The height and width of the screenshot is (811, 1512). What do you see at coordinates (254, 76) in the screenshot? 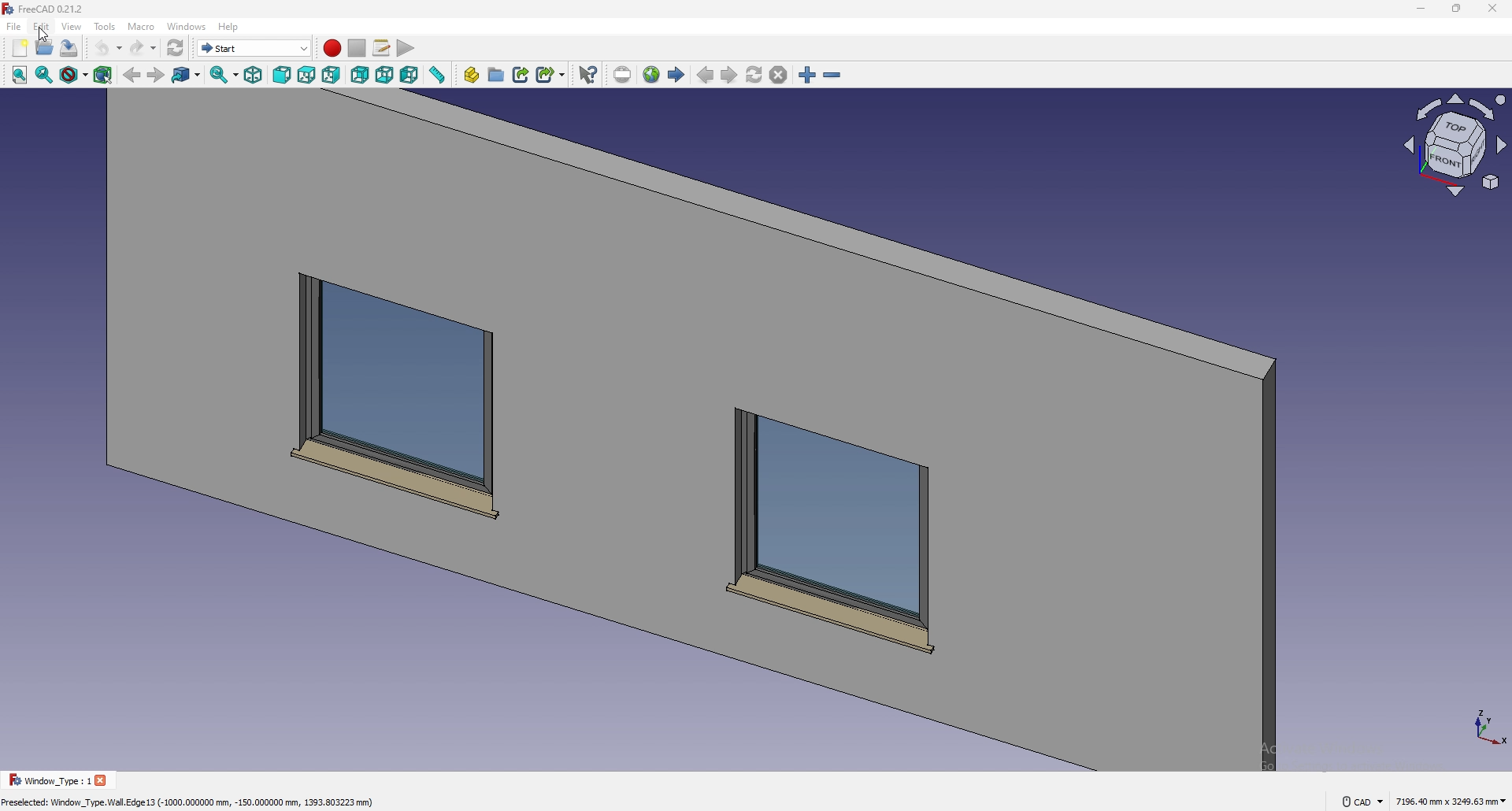
I see `isometric` at bounding box center [254, 76].